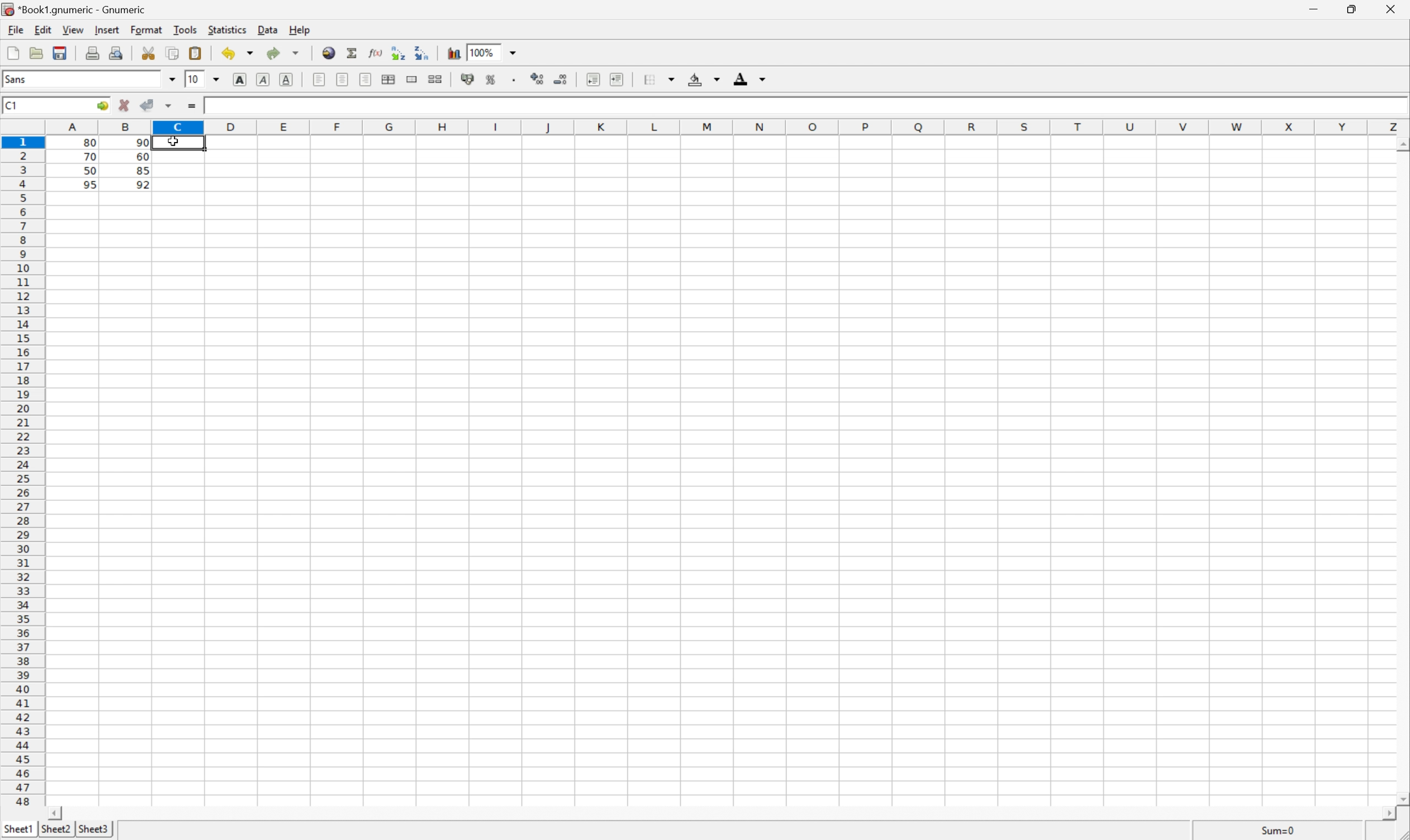  I want to click on Cut the selection, so click(149, 52).